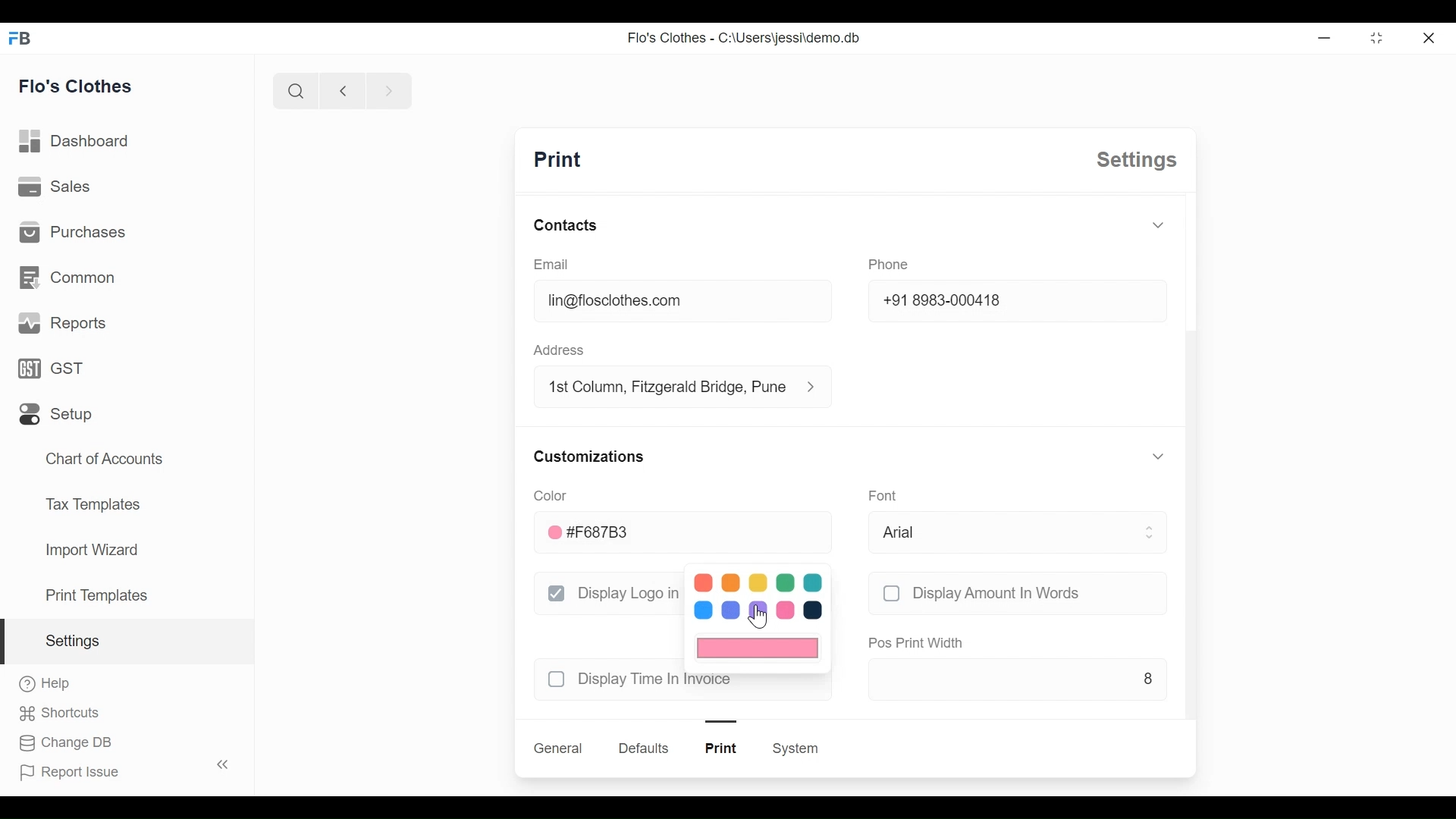  Describe the element at coordinates (758, 616) in the screenshot. I see `cursor` at that location.